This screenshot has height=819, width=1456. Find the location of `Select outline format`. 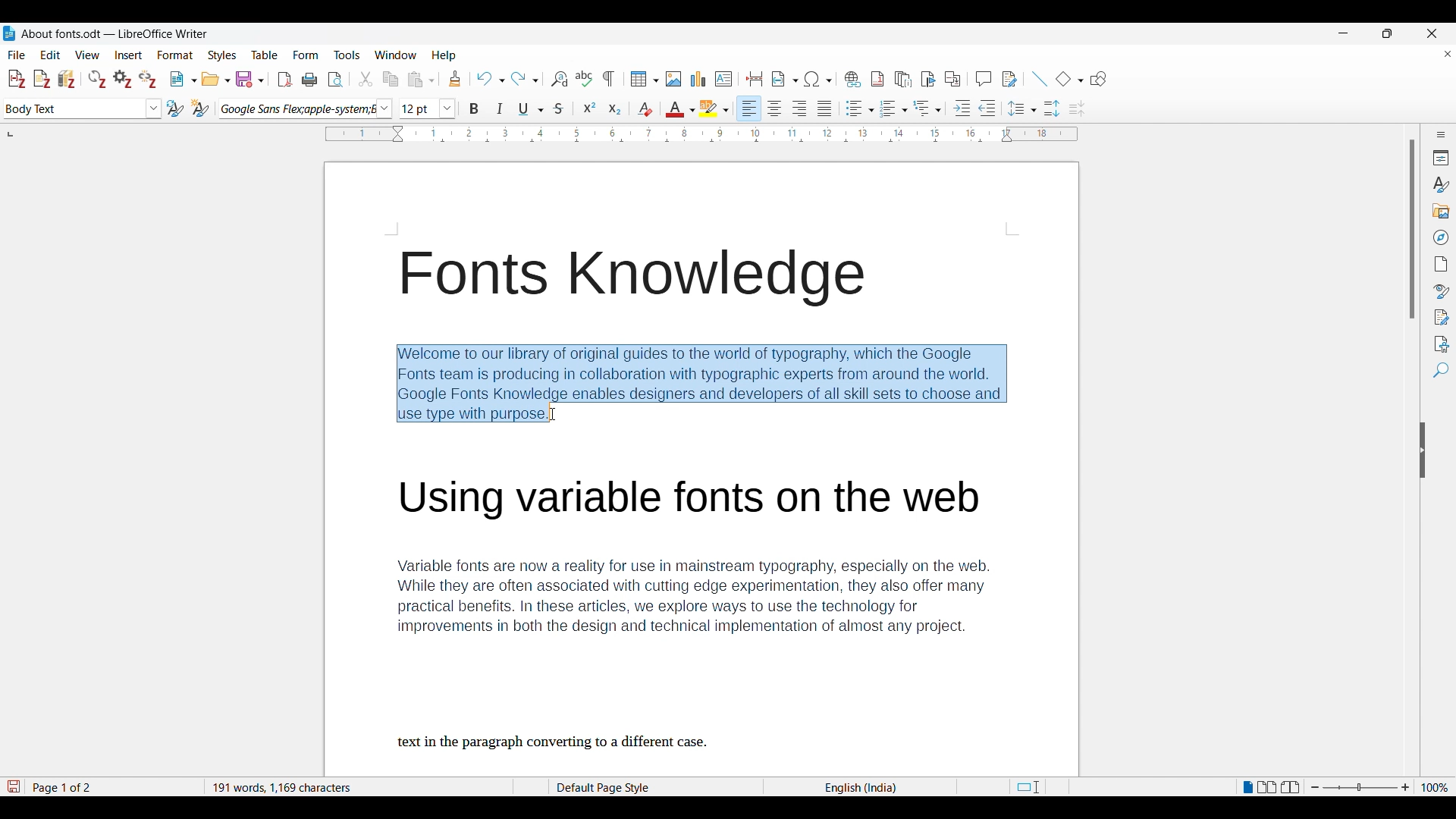

Select outline format is located at coordinates (927, 108).